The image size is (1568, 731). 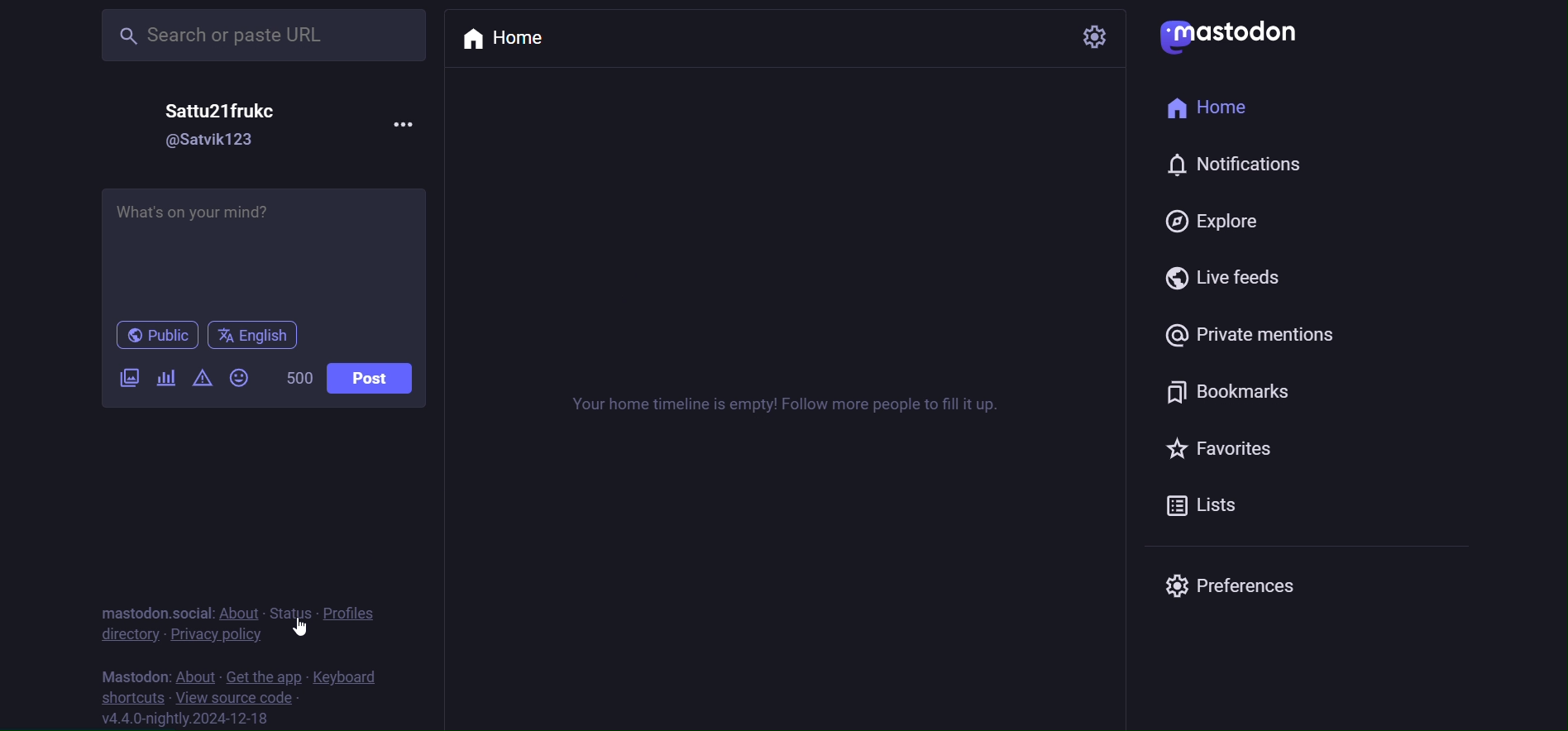 I want to click on Word Limit, so click(x=295, y=380).